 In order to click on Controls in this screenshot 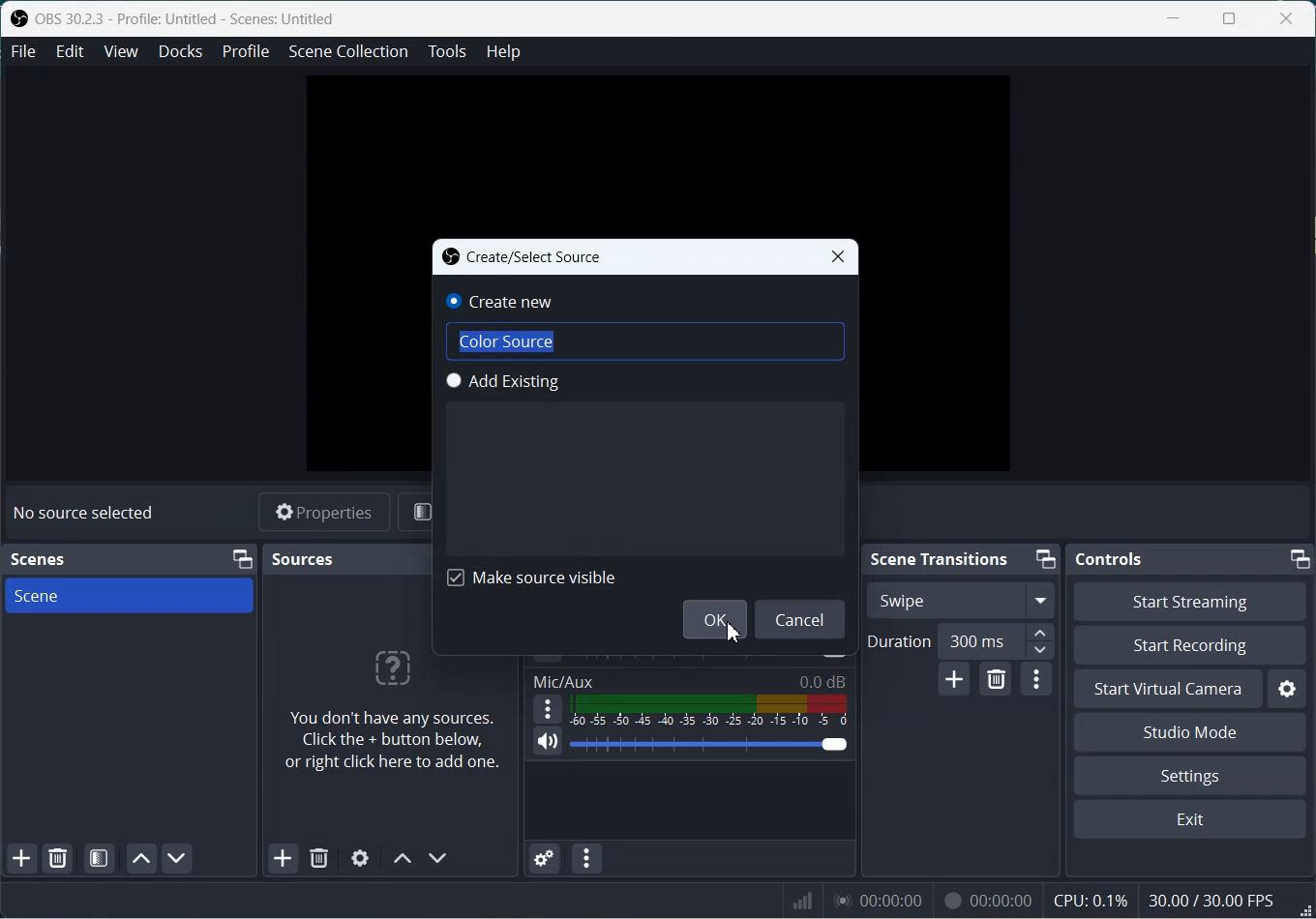, I will do `click(1111, 559)`.